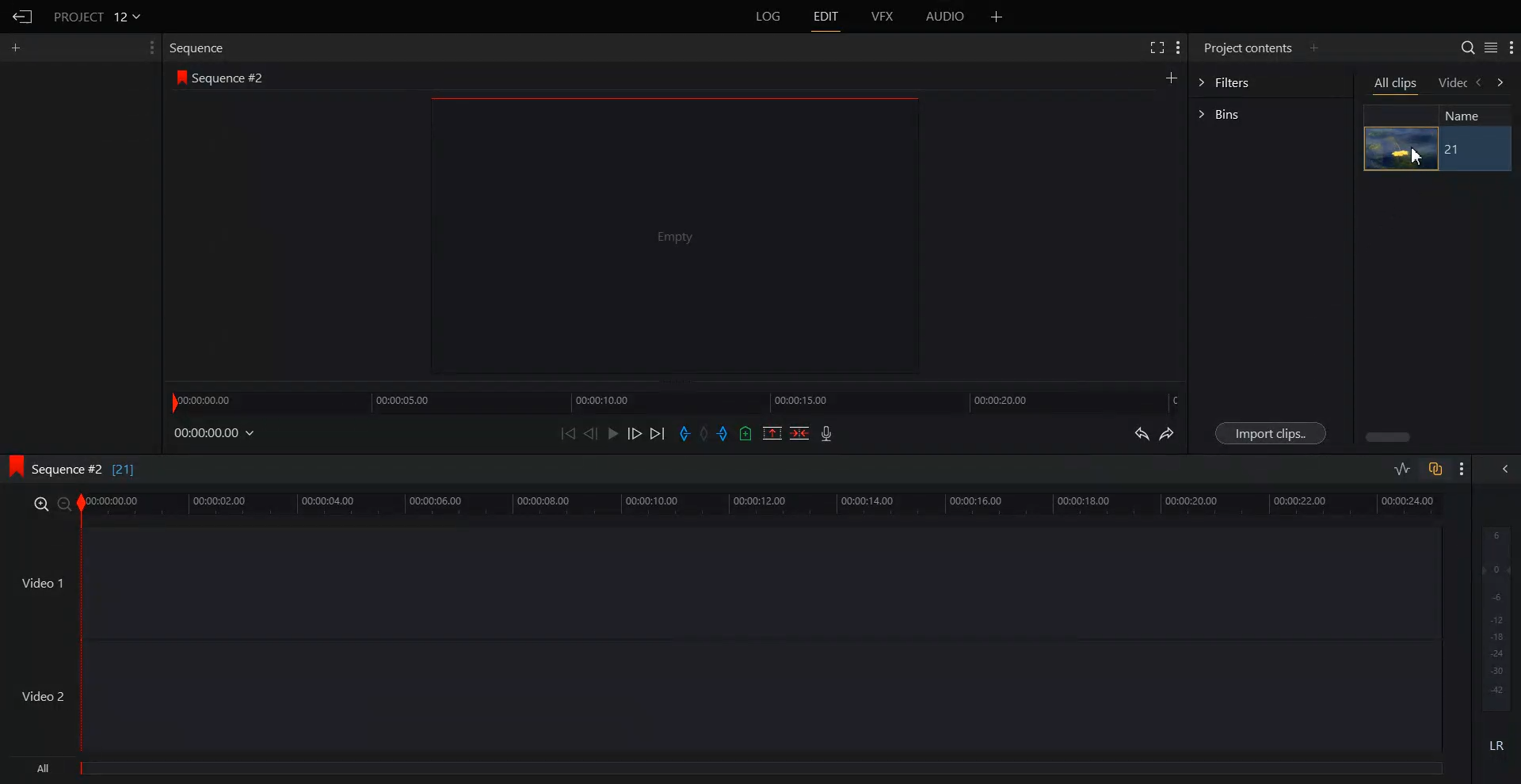  Describe the element at coordinates (14, 466) in the screenshot. I see `icon` at that location.